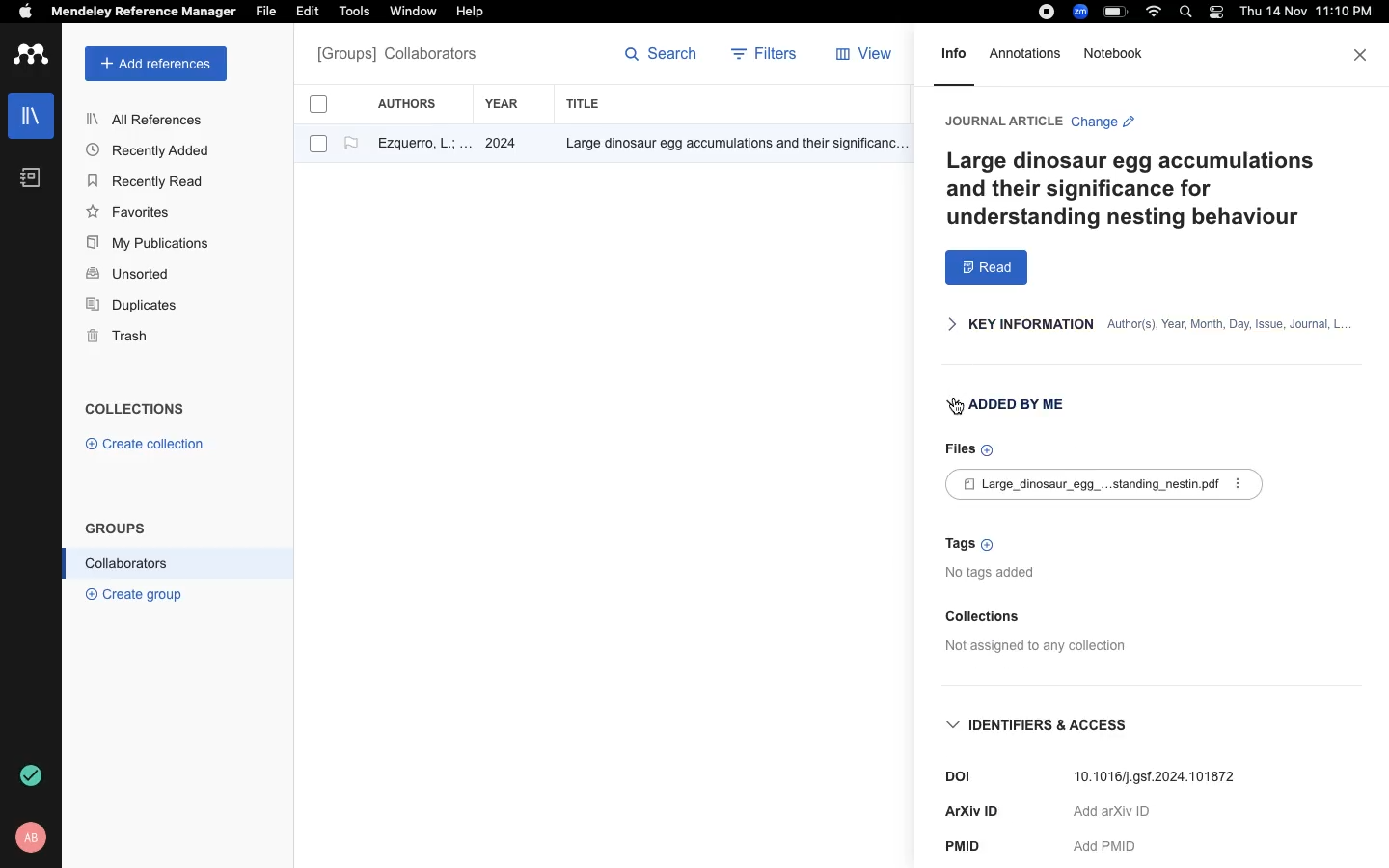  What do you see at coordinates (415, 14) in the screenshot?
I see `‘Window` at bounding box center [415, 14].